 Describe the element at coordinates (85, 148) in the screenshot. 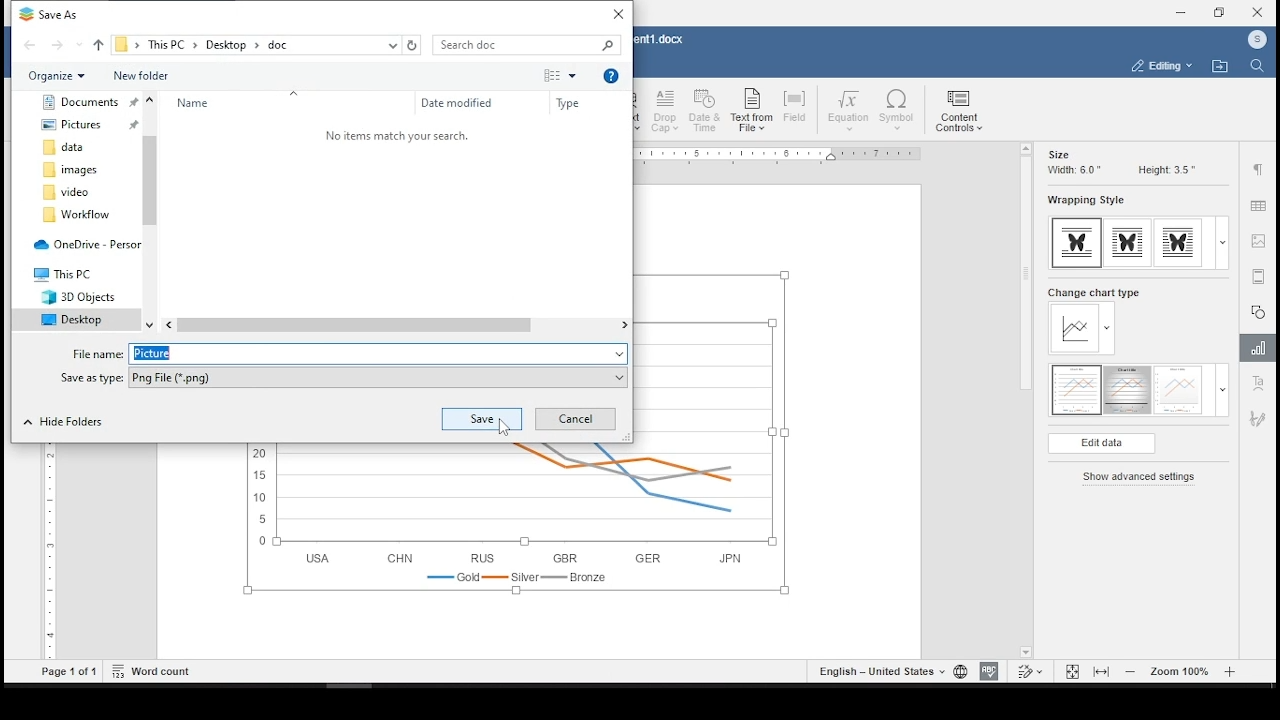

I see `data` at that location.